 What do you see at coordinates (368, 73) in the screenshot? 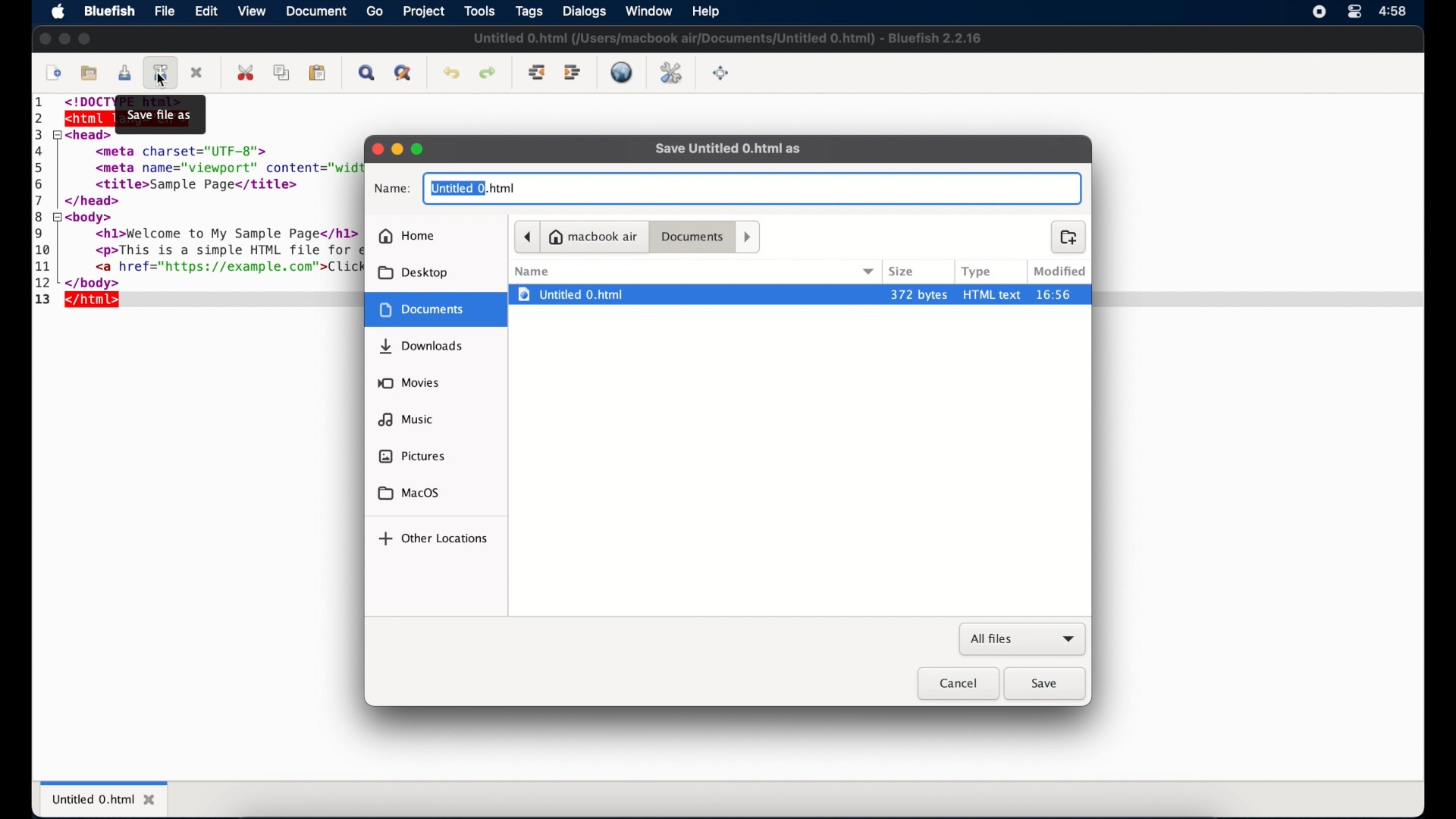
I see `show find bar` at bounding box center [368, 73].